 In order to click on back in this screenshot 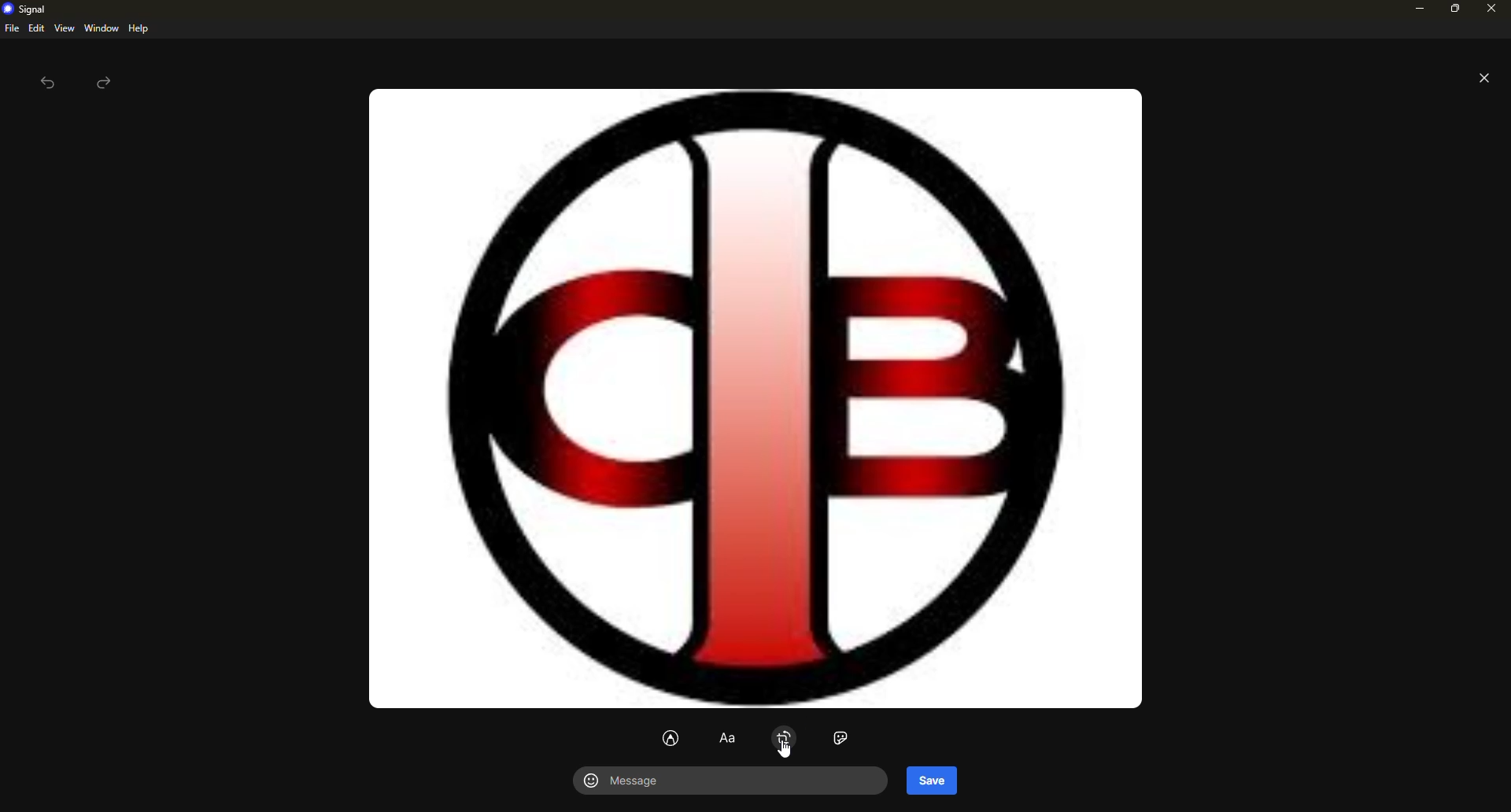, I will do `click(47, 85)`.